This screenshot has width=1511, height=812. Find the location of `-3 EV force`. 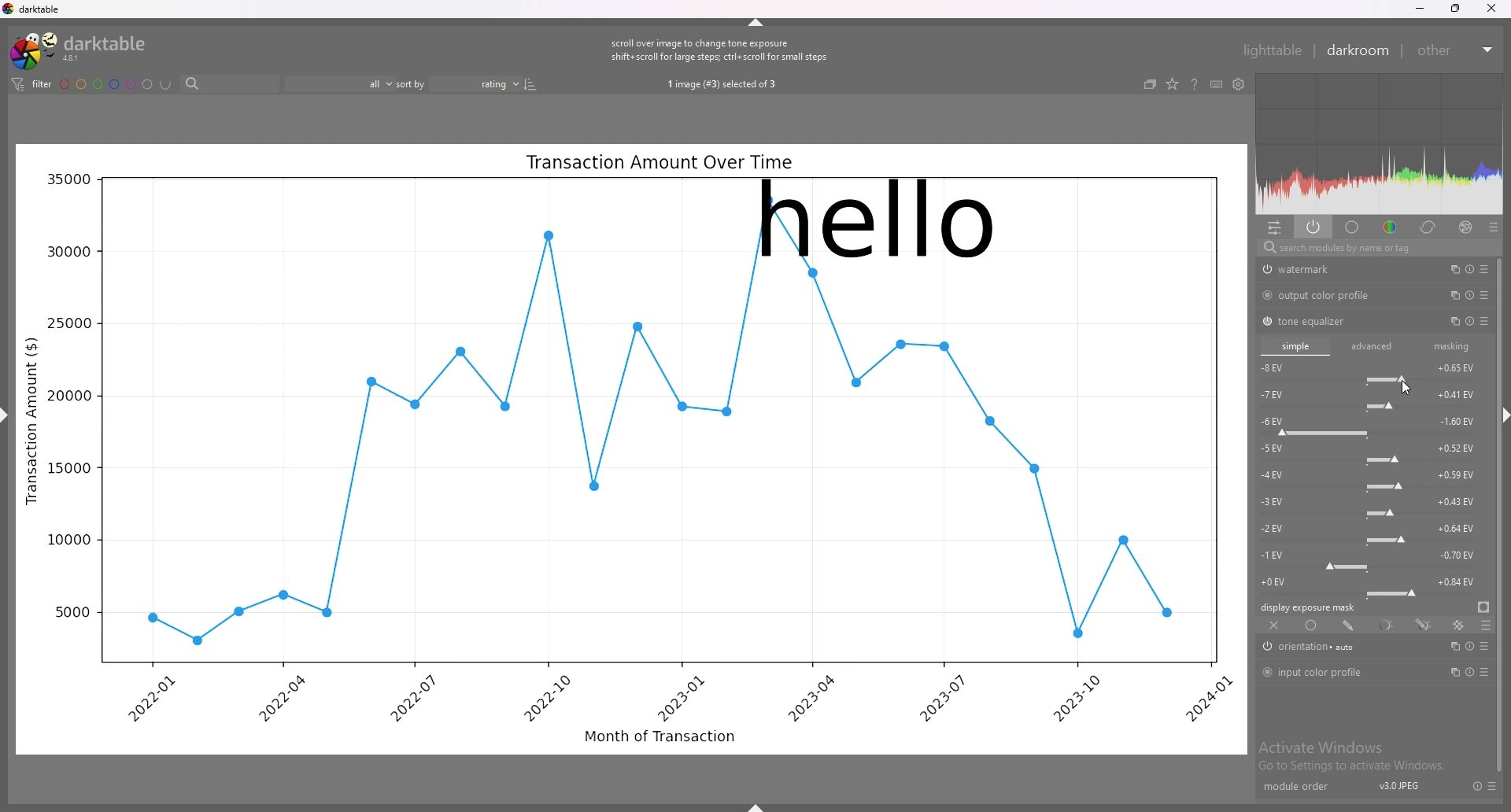

-3 EV force is located at coordinates (1375, 505).